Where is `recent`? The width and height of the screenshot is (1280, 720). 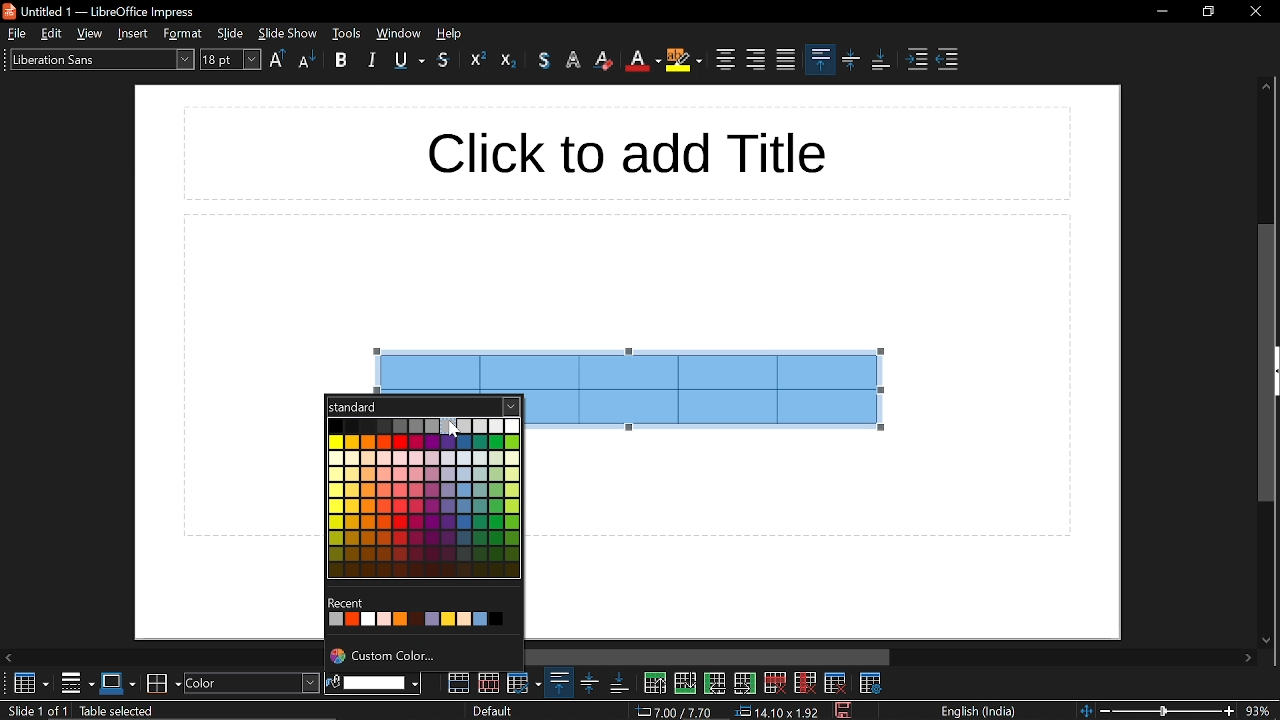 recent is located at coordinates (347, 603).